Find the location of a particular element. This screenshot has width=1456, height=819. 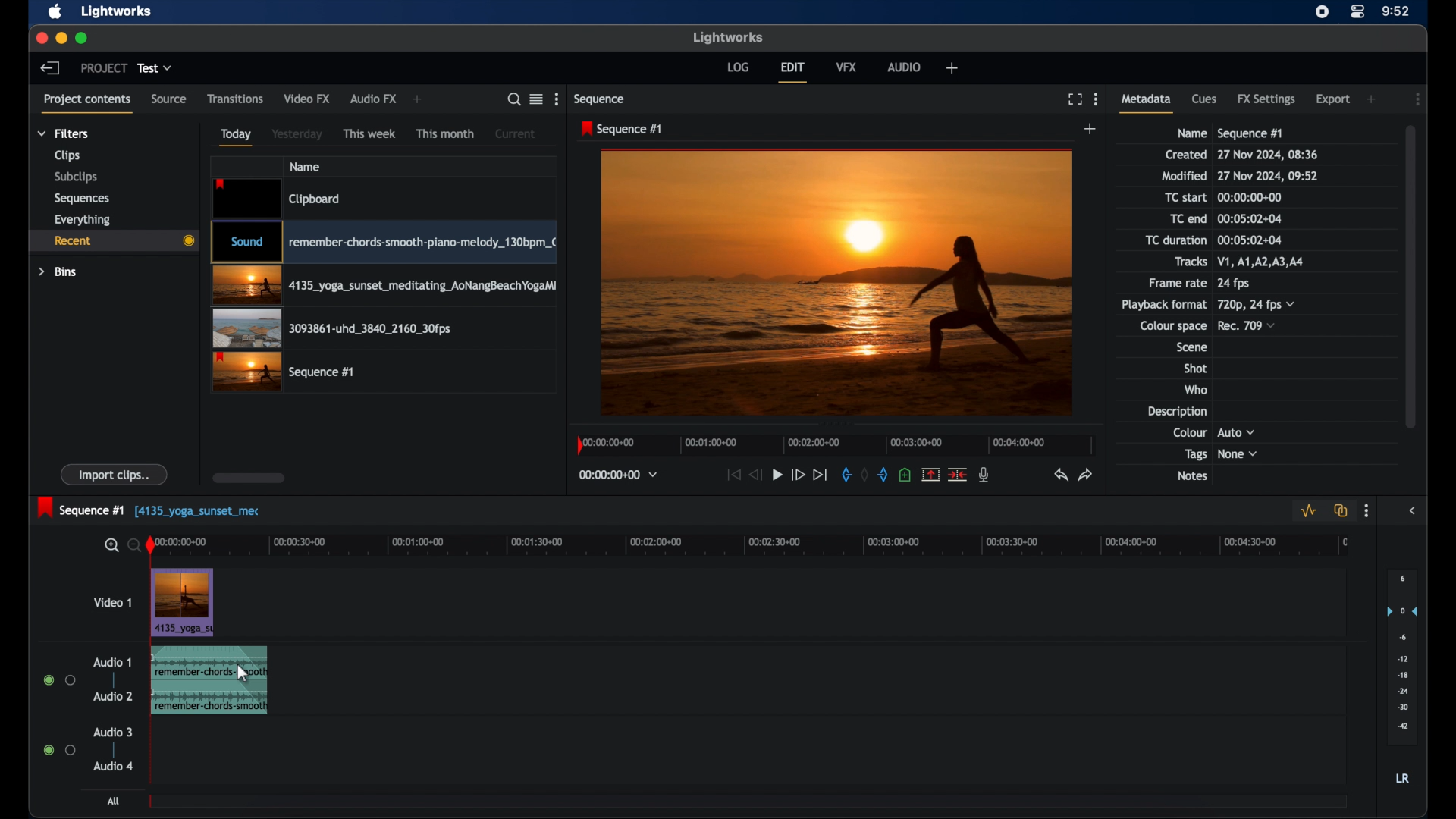

jump to end is located at coordinates (821, 475).